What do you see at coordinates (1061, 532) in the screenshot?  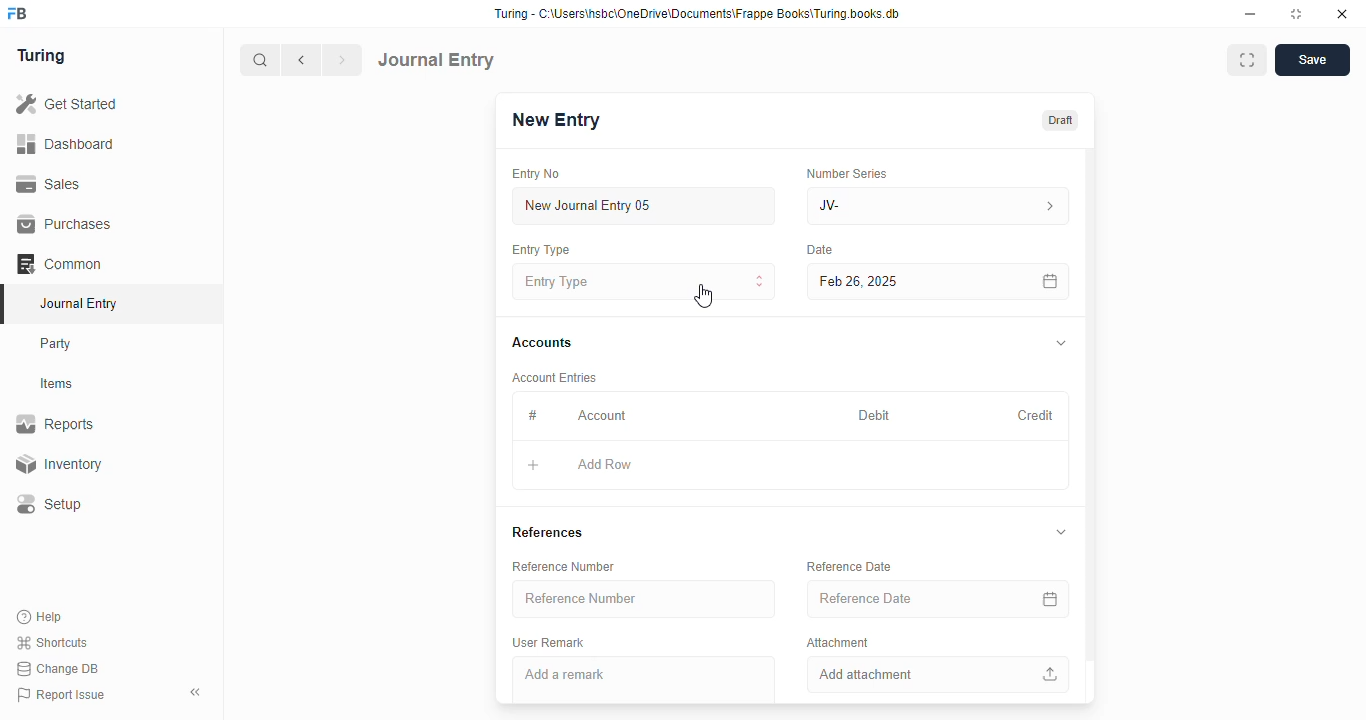 I see `toggle expand/collapse` at bounding box center [1061, 532].